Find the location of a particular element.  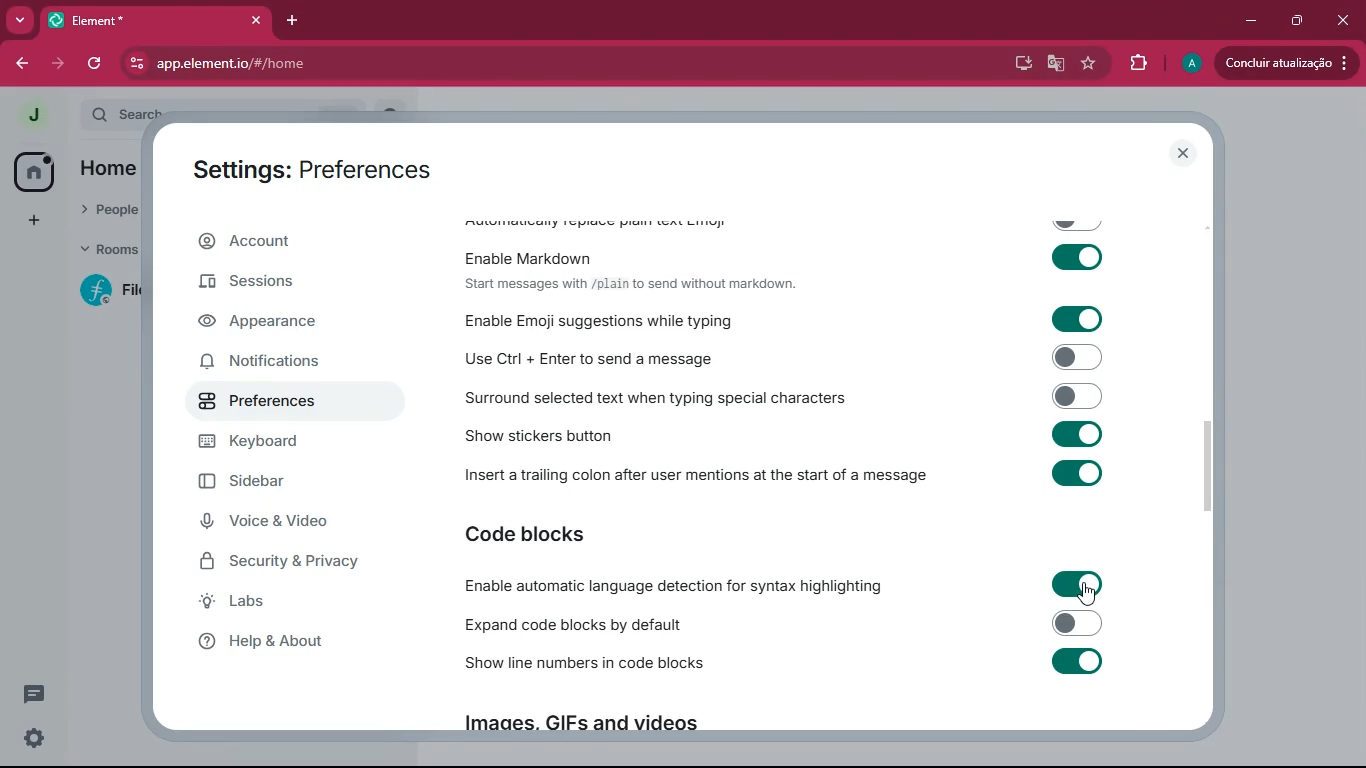

search ctrl k is located at coordinates (241, 109).